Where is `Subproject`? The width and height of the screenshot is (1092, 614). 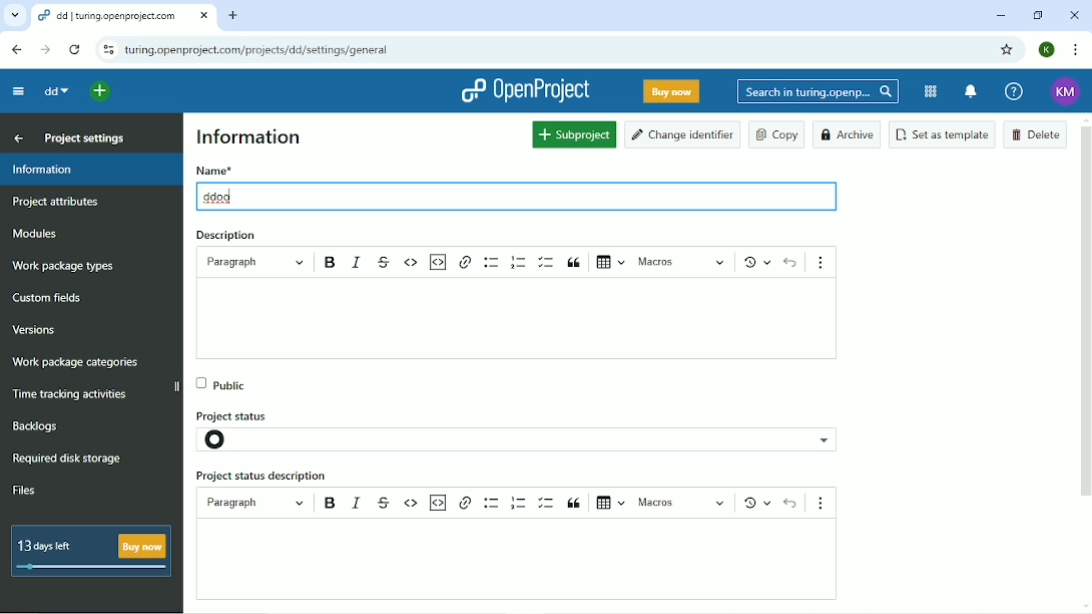 Subproject is located at coordinates (574, 134).